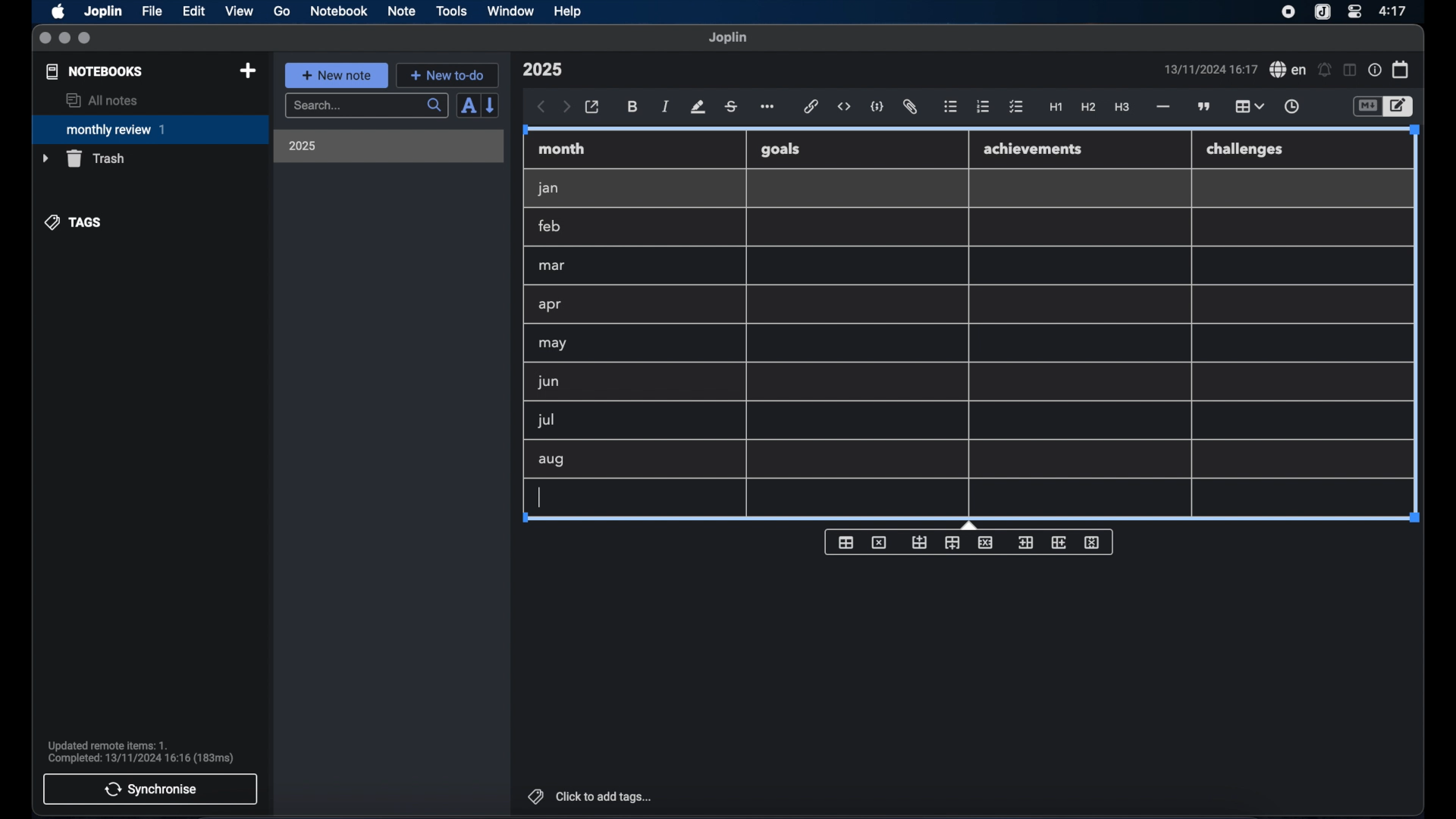  Describe the element at coordinates (987, 541) in the screenshot. I see `delete row` at that location.